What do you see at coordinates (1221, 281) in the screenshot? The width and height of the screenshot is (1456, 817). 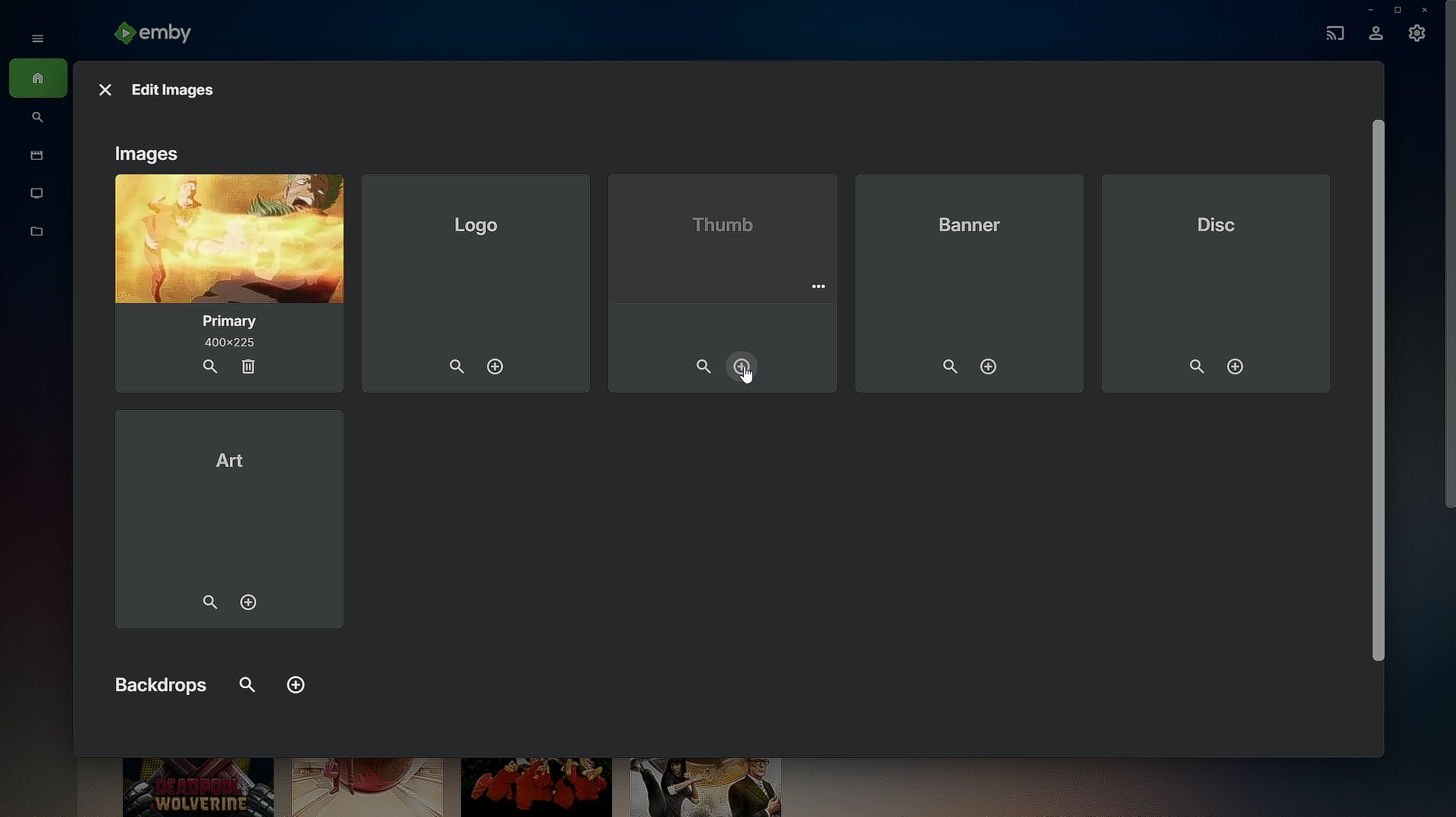 I see `Disc` at bounding box center [1221, 281].